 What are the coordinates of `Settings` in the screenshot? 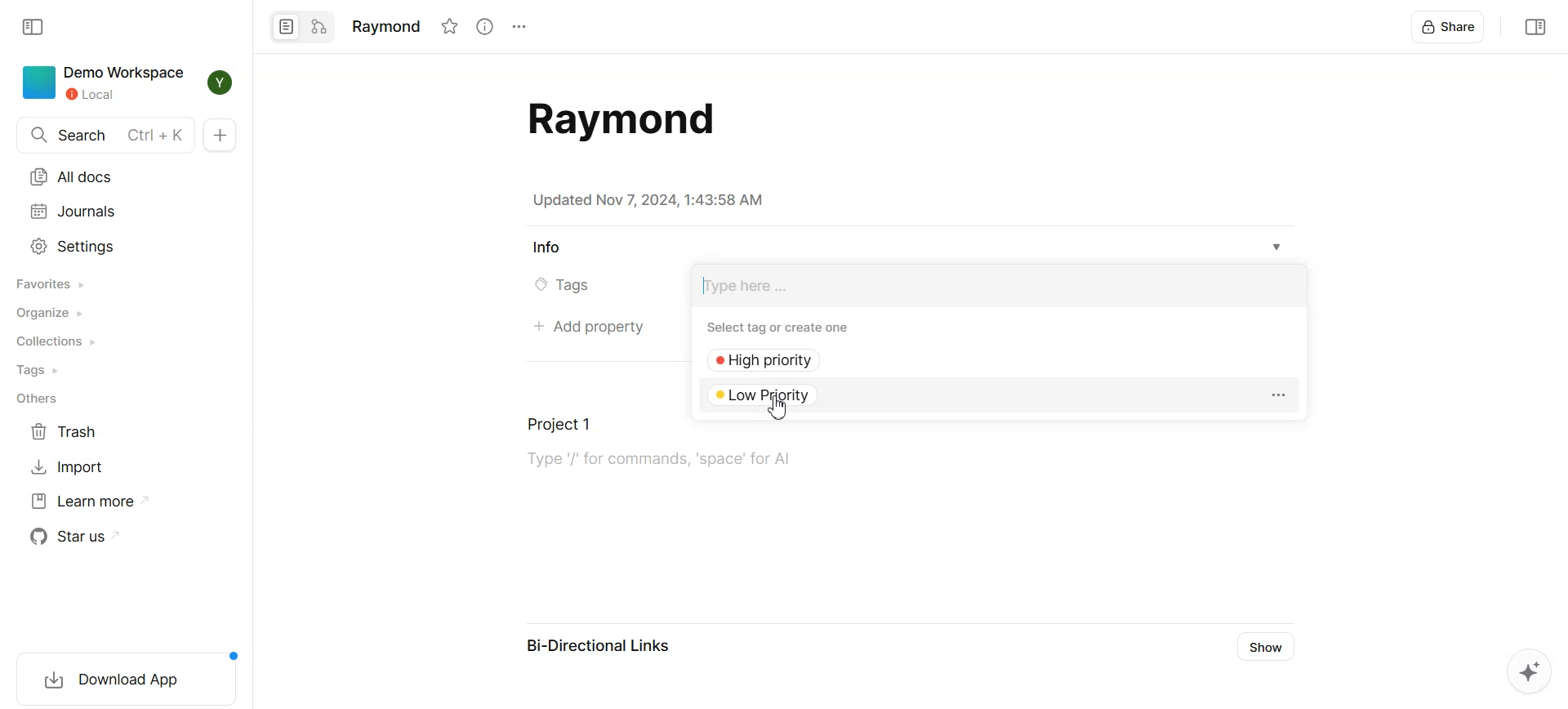 It's located at (74, 246).